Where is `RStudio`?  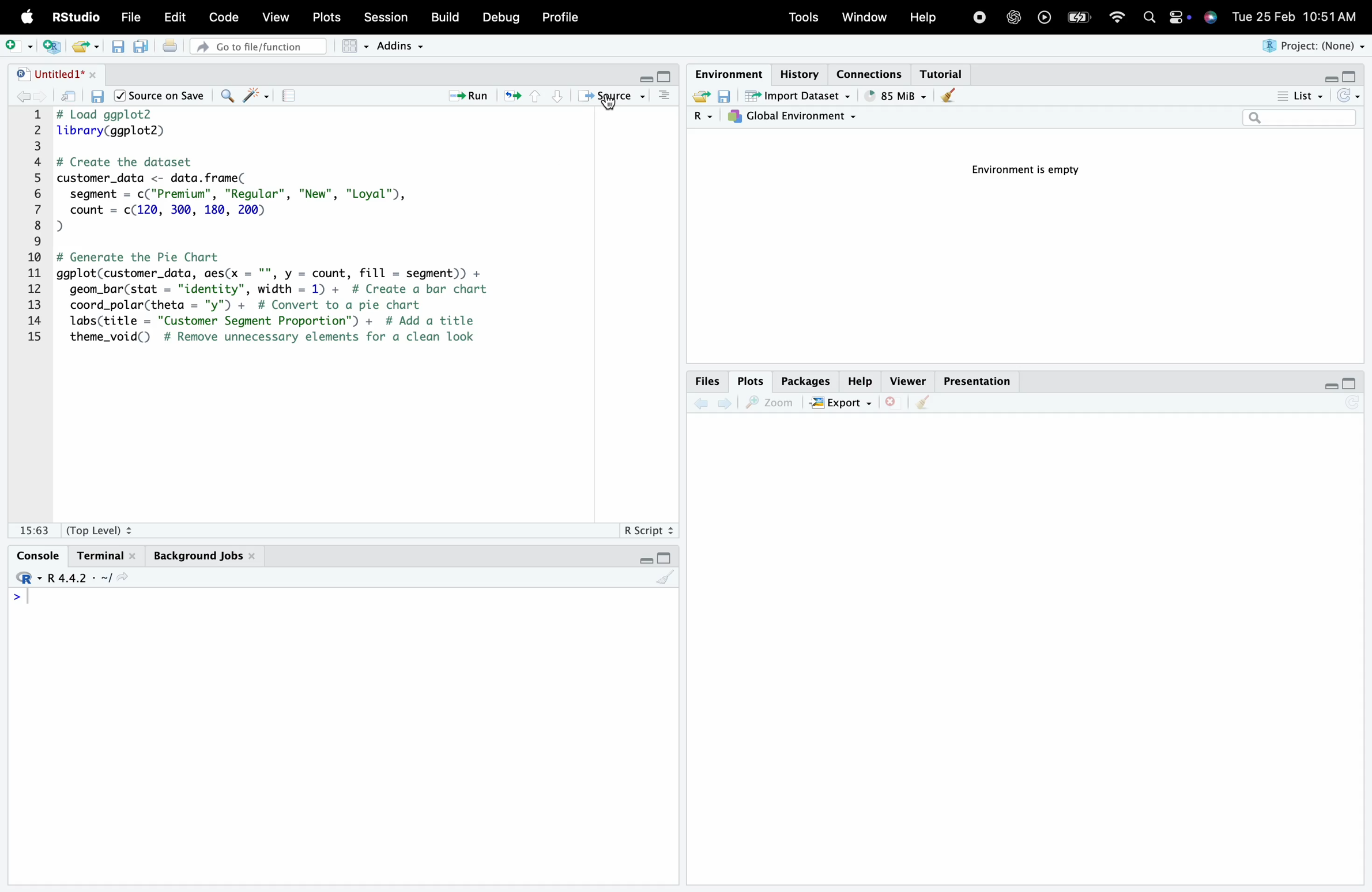
RStudio is located at coordinates (74, 16).